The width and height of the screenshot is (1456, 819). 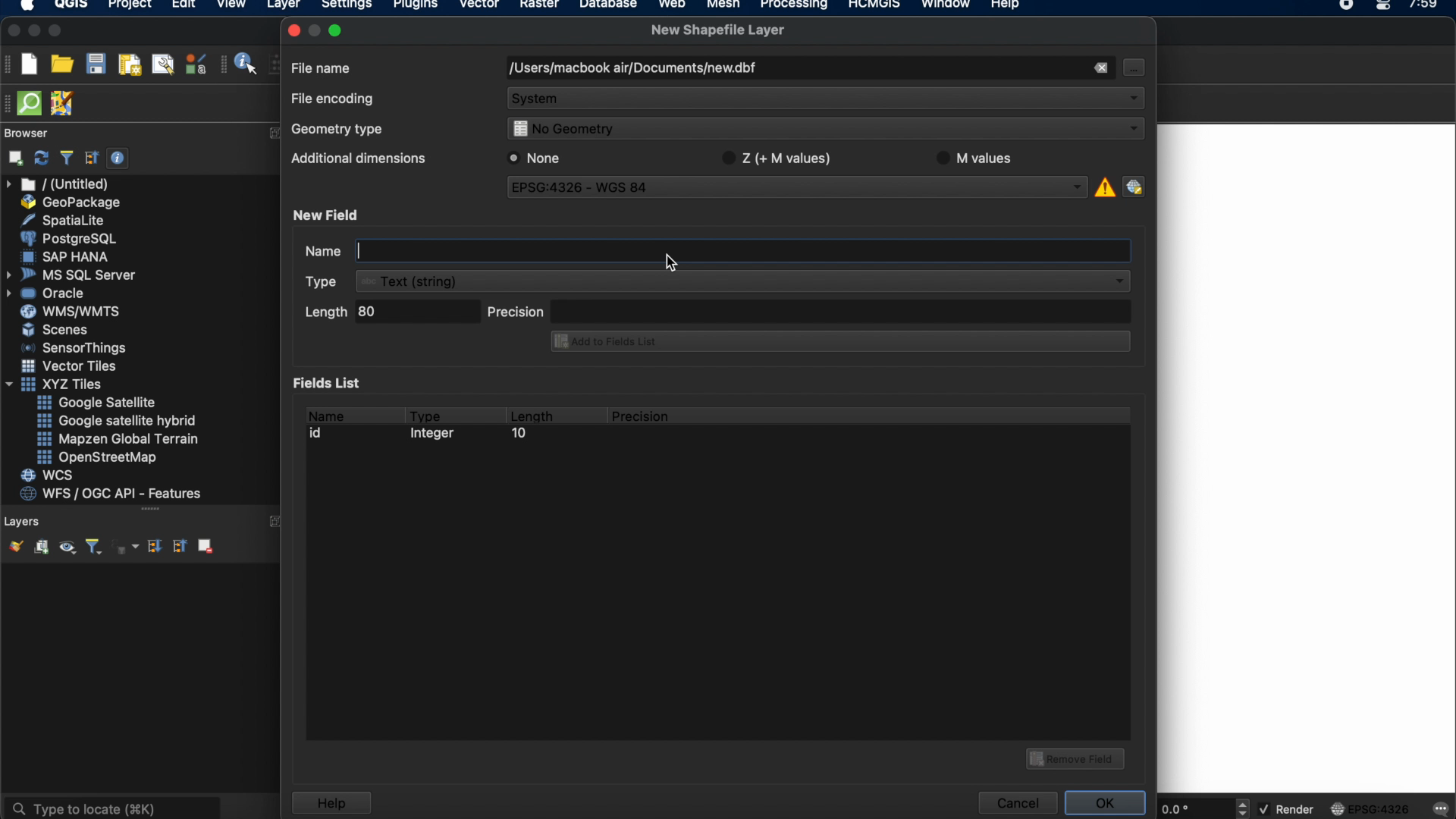 What do you see at coordinates (178, 545) in the screenshot?
I see `collapse all` at bounding box center [178, 545].